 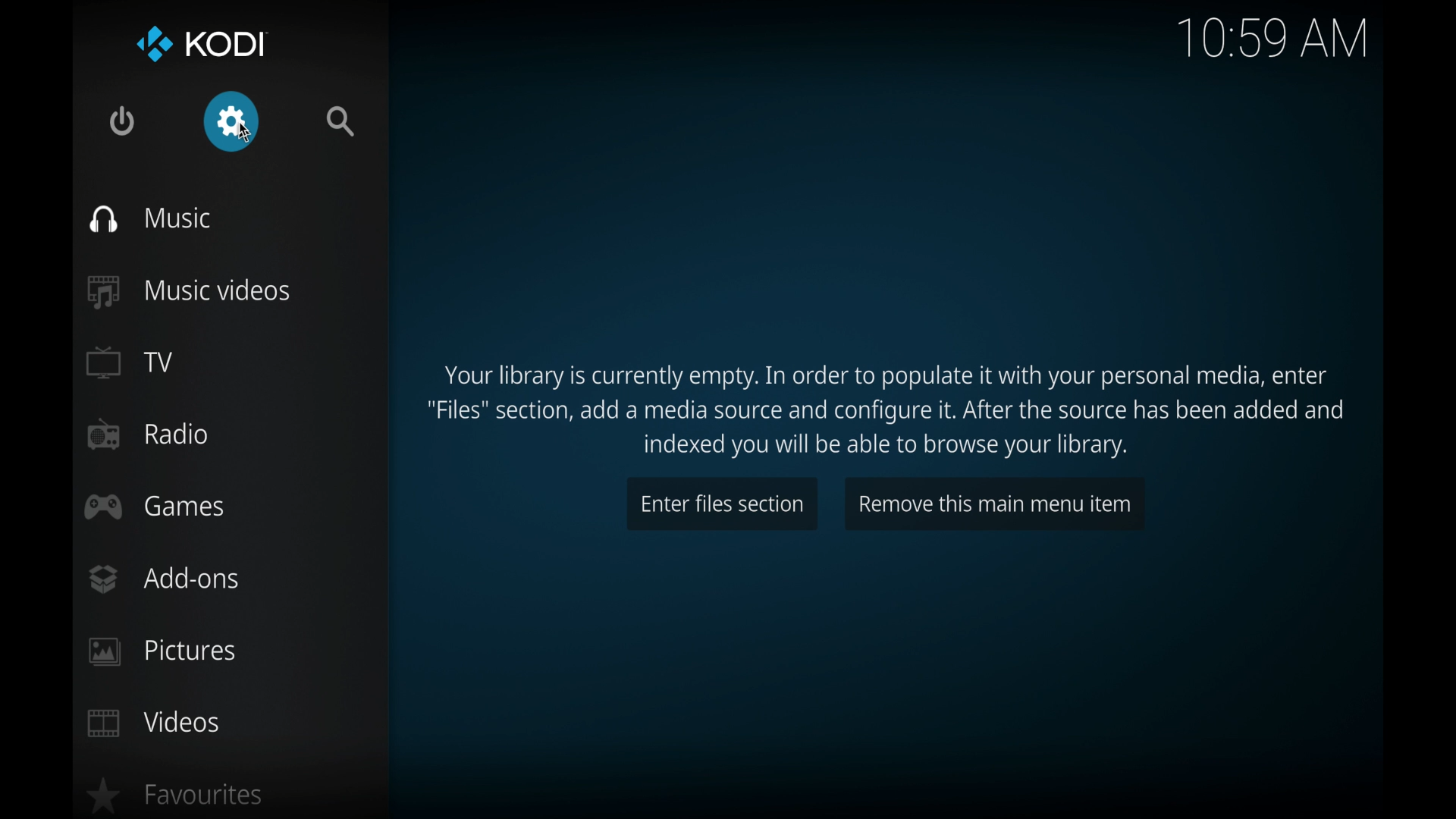 I want to click on 10.59 am, so click(x=1274, y=39).